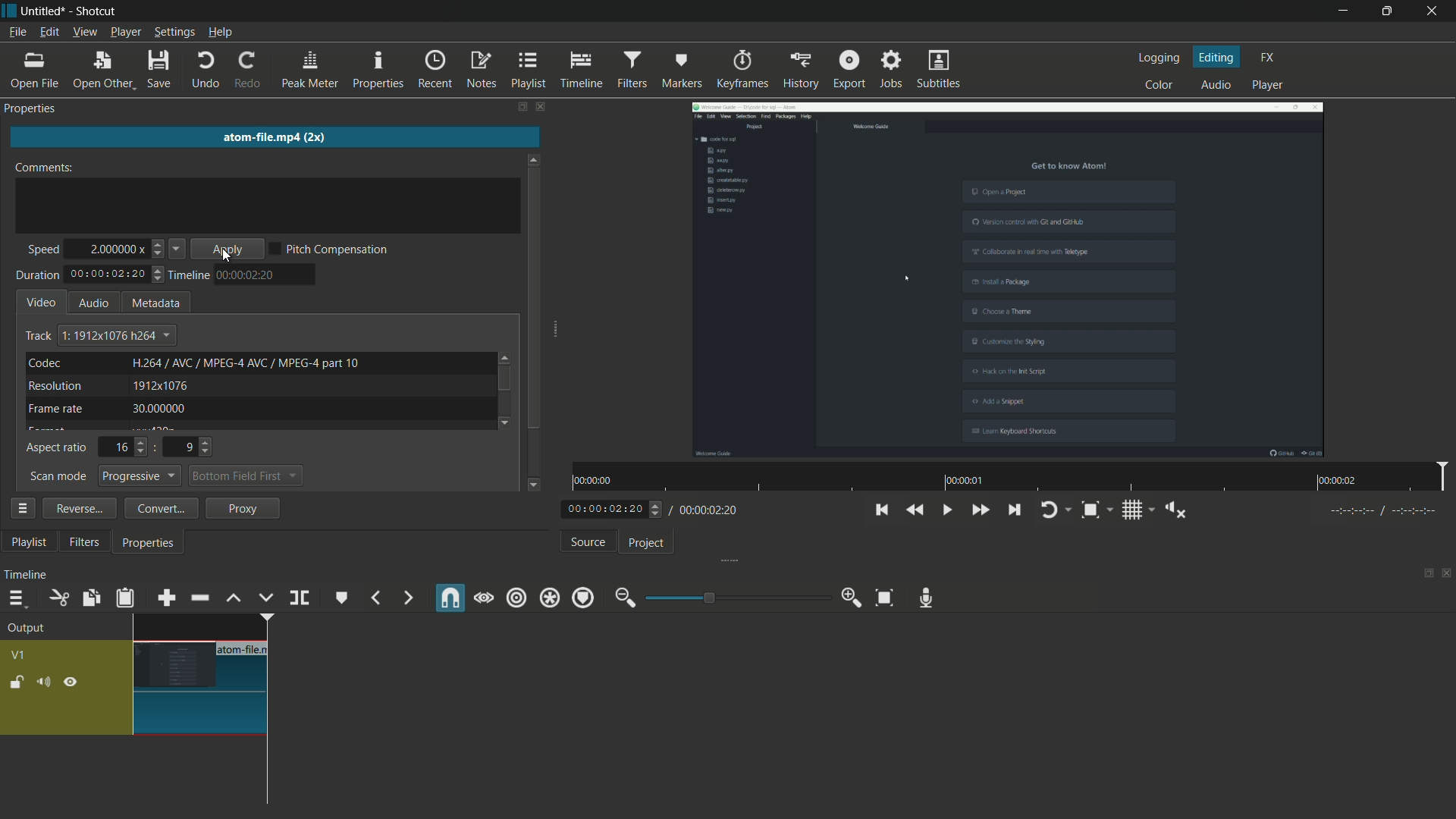 This screenshot has height=819, width=1456. Describe the element at coordinates (927, 600) in the screenshot. I see `record audio` at that location.